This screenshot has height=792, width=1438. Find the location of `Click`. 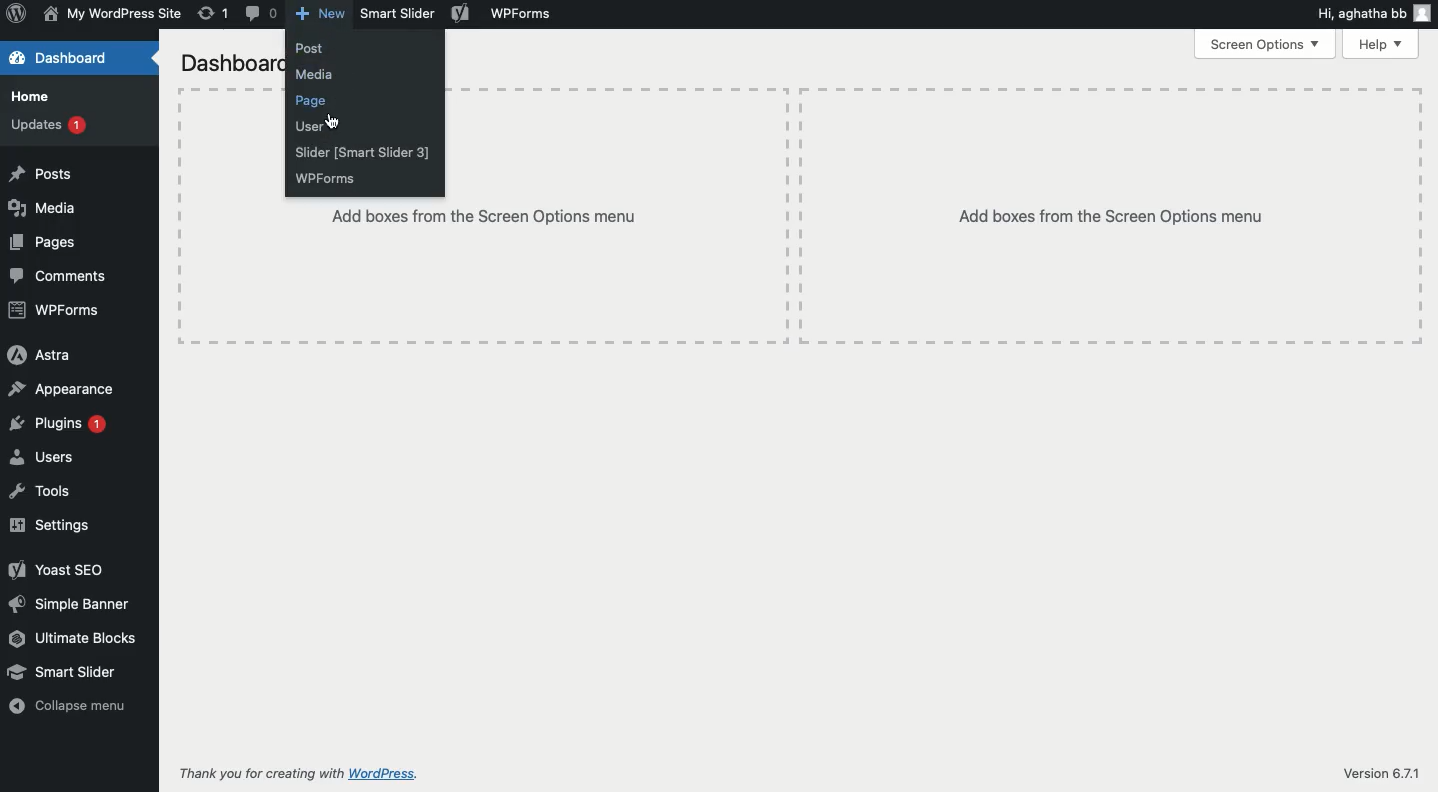

Click is located at coordinates (311, 102).